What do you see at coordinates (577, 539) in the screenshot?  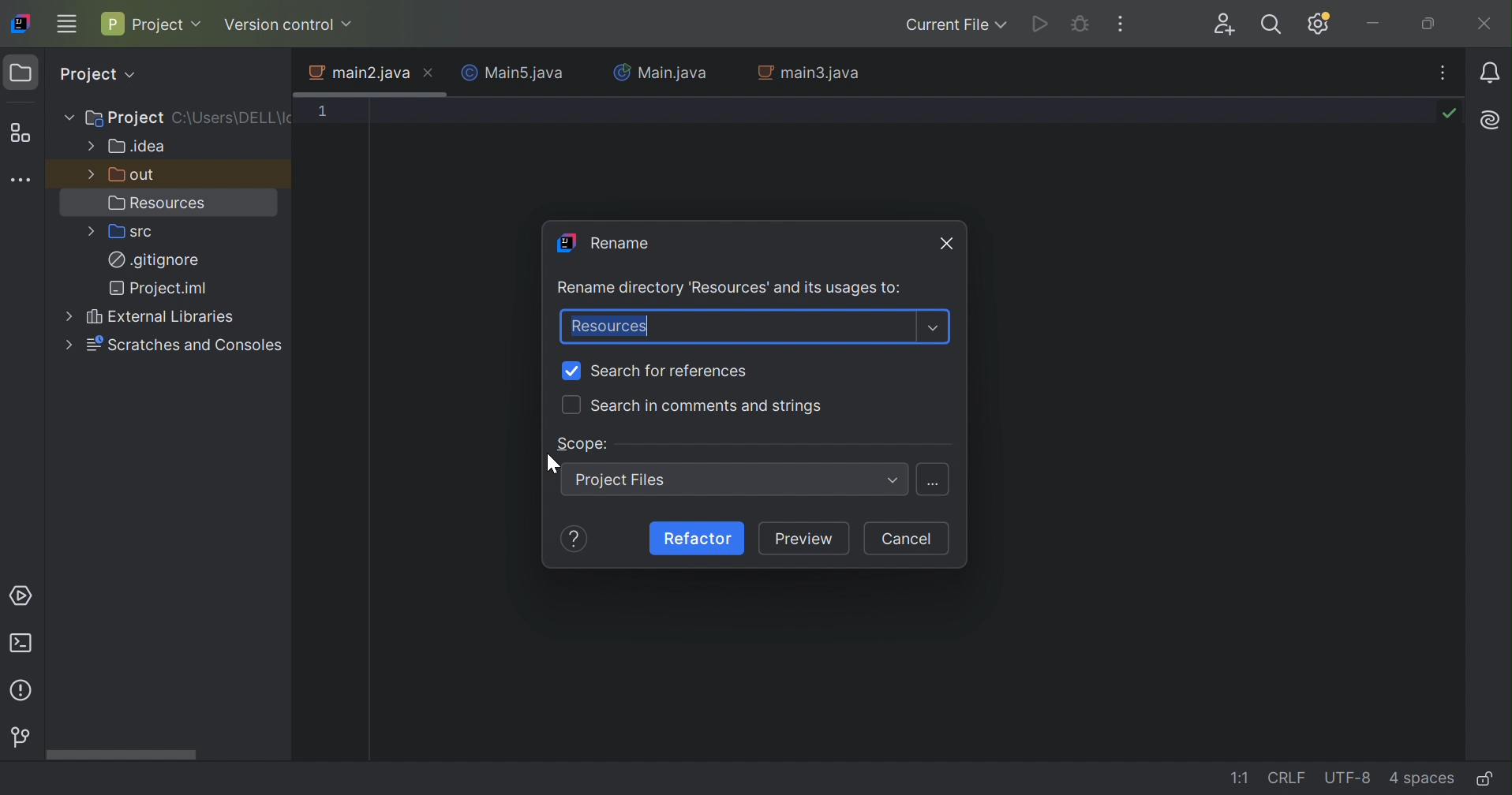 I see `Show help contents` at bounding box center [577, 539].